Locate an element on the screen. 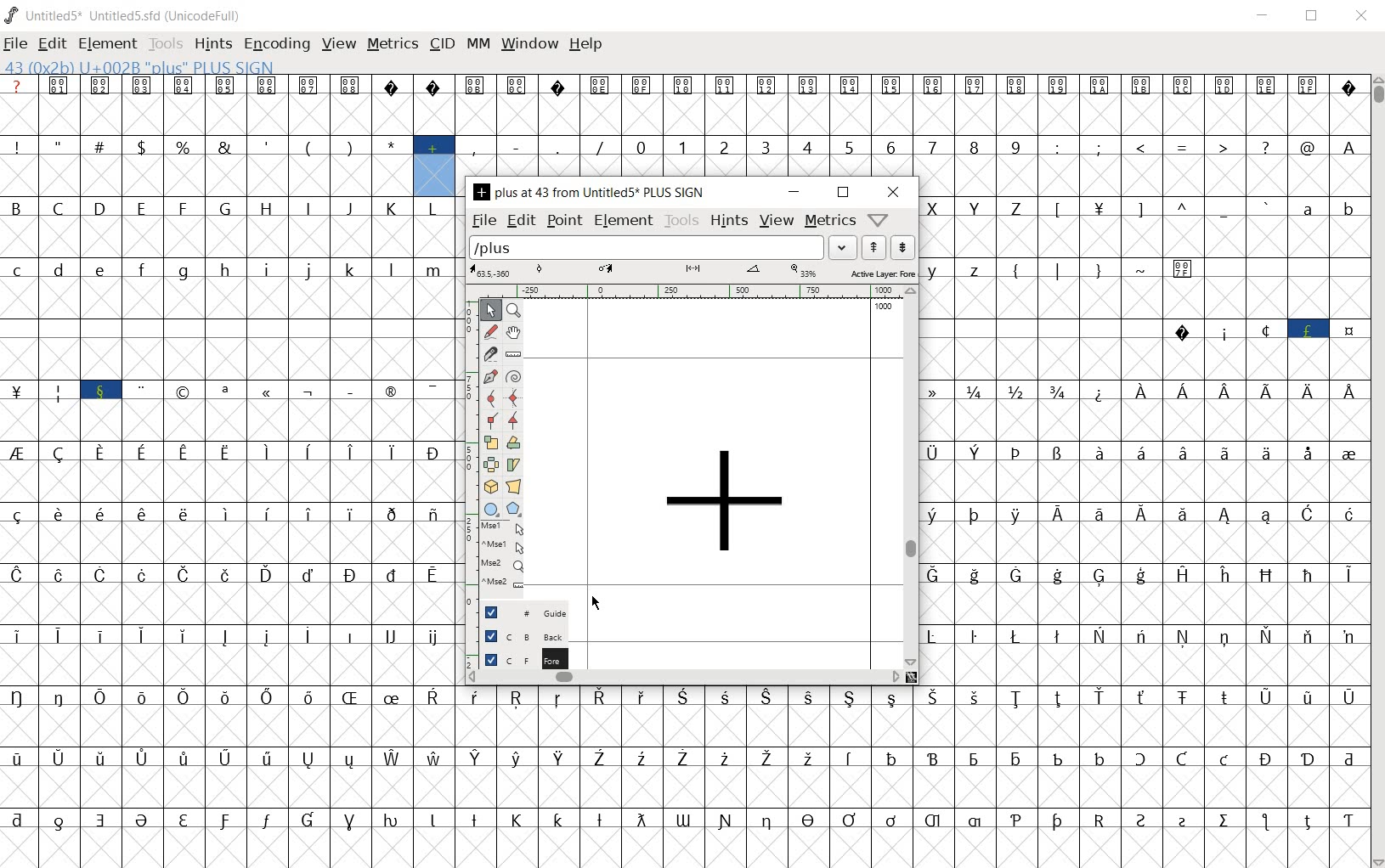 Image resolution: width=1385 pixels, height=868 pixels. PLUS AT 43 FROM UNTITLED5 PLUS SIGN is located at coordinates (589, 194).